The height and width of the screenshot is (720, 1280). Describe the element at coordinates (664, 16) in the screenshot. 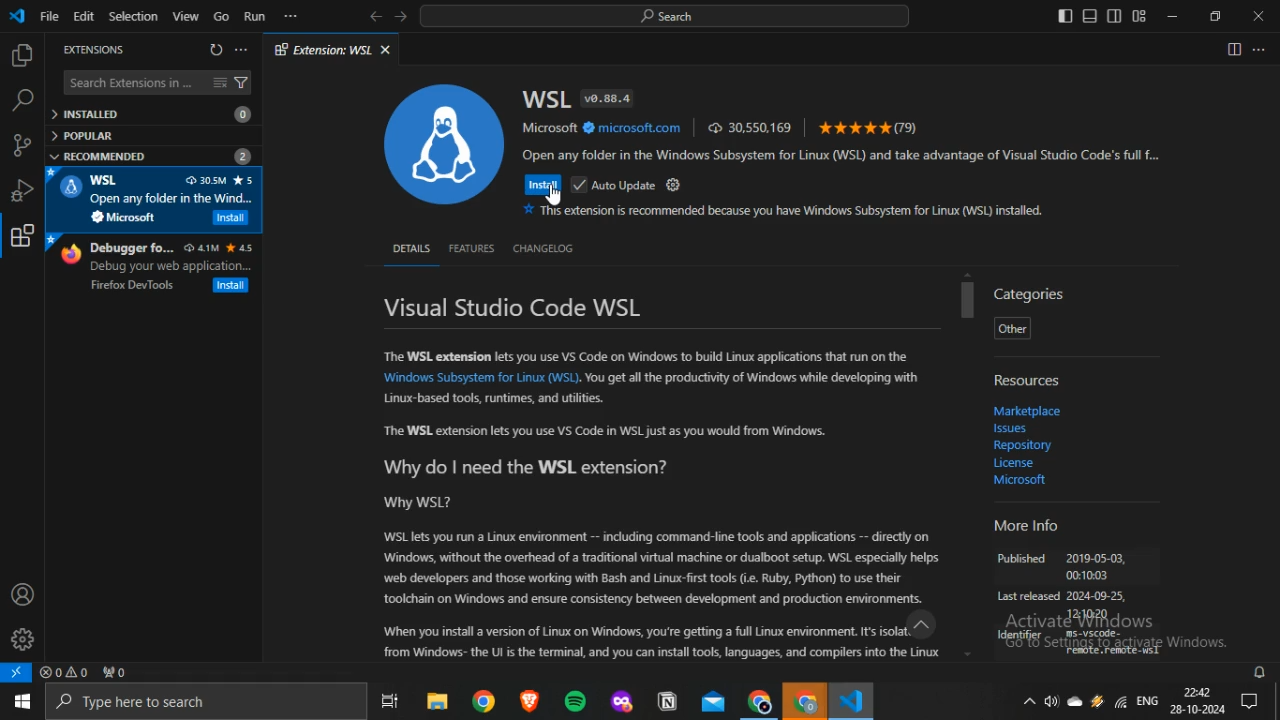

I see `search` at that location.